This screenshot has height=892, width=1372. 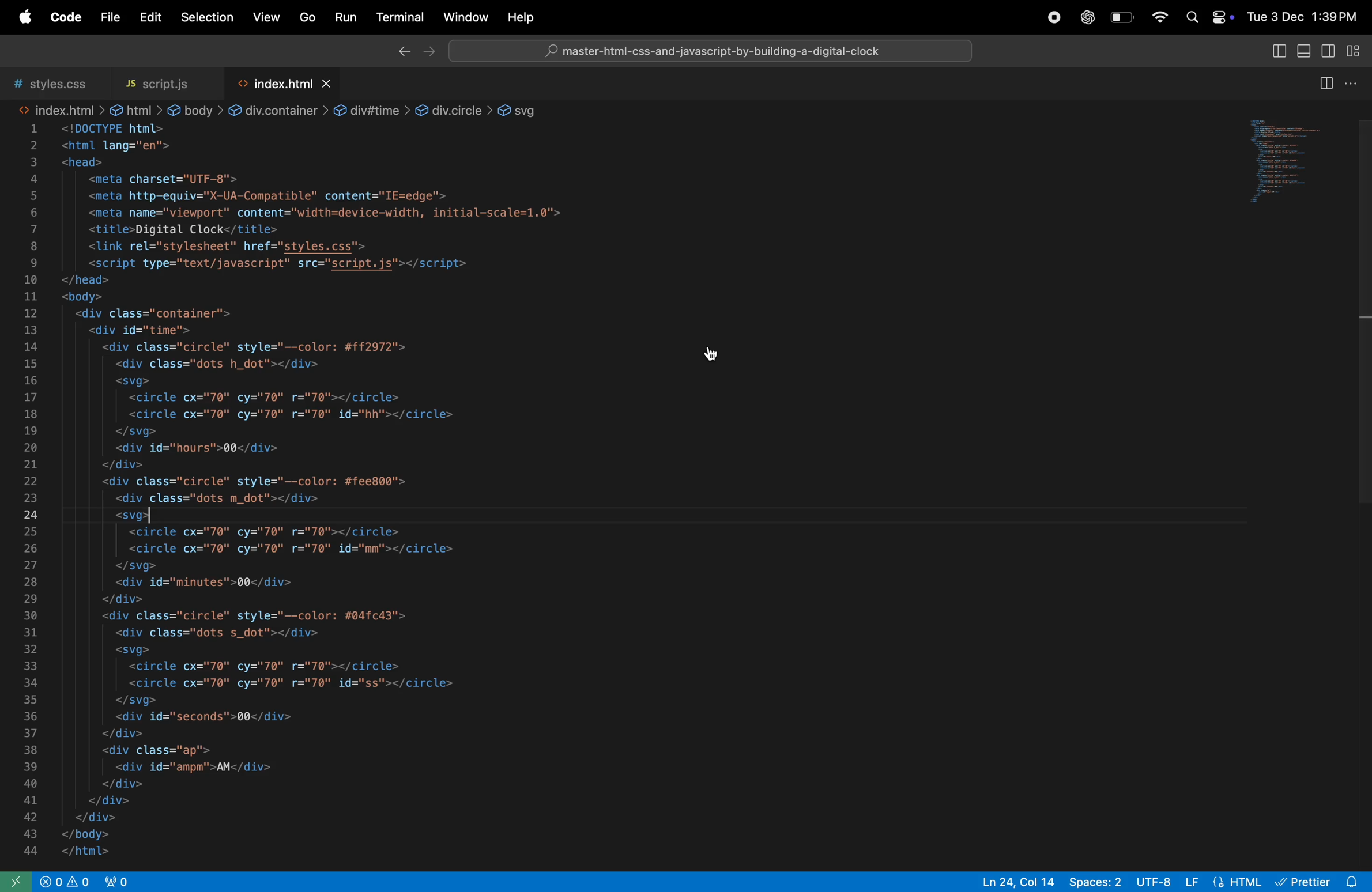 What do you see at coordinates (524, 18) in the screenshot?
I see `help` at bounding box center [524, 18].